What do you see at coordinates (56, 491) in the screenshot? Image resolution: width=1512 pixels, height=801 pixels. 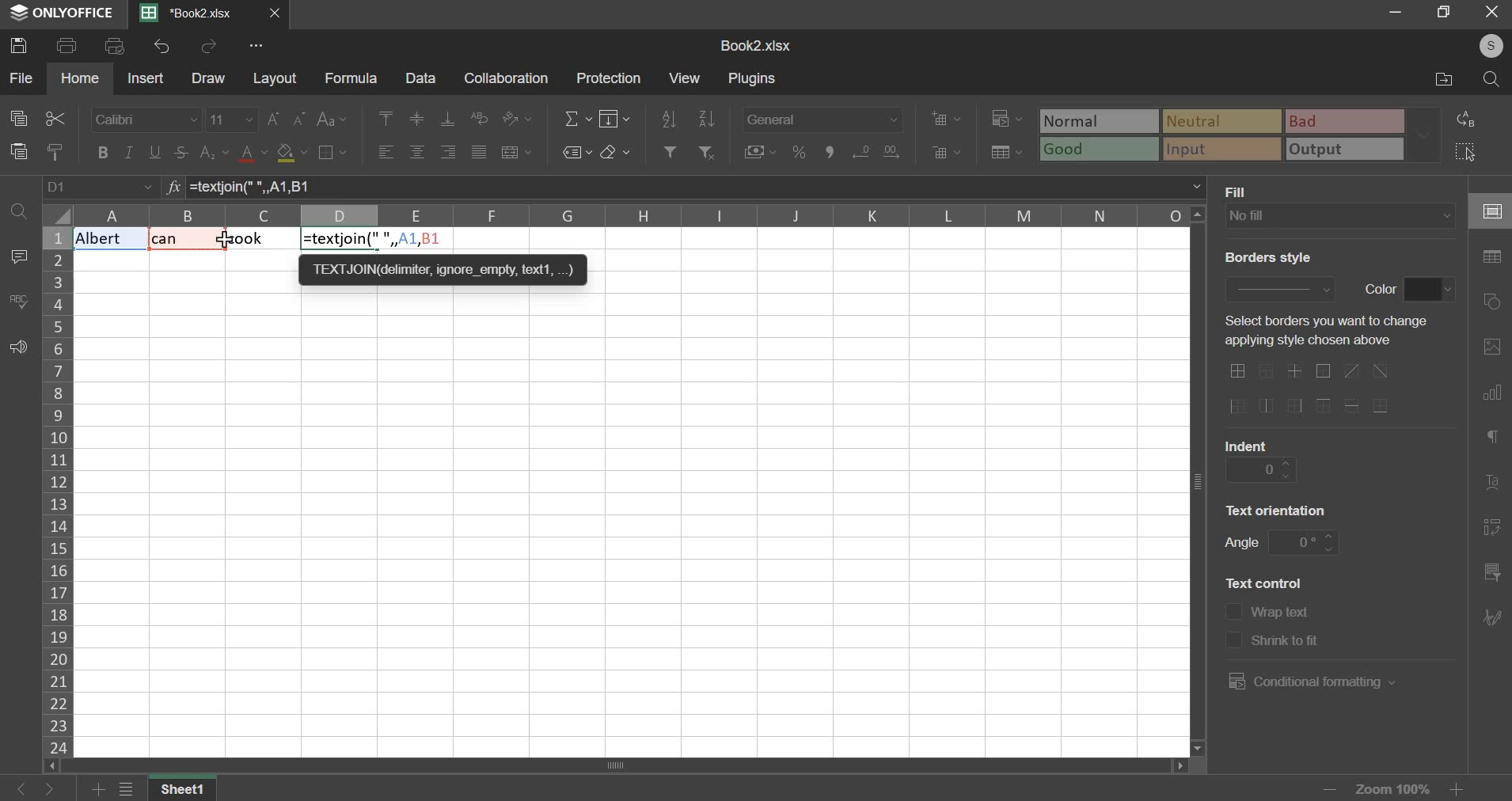 I see `column` at bounding box center [56, 491].